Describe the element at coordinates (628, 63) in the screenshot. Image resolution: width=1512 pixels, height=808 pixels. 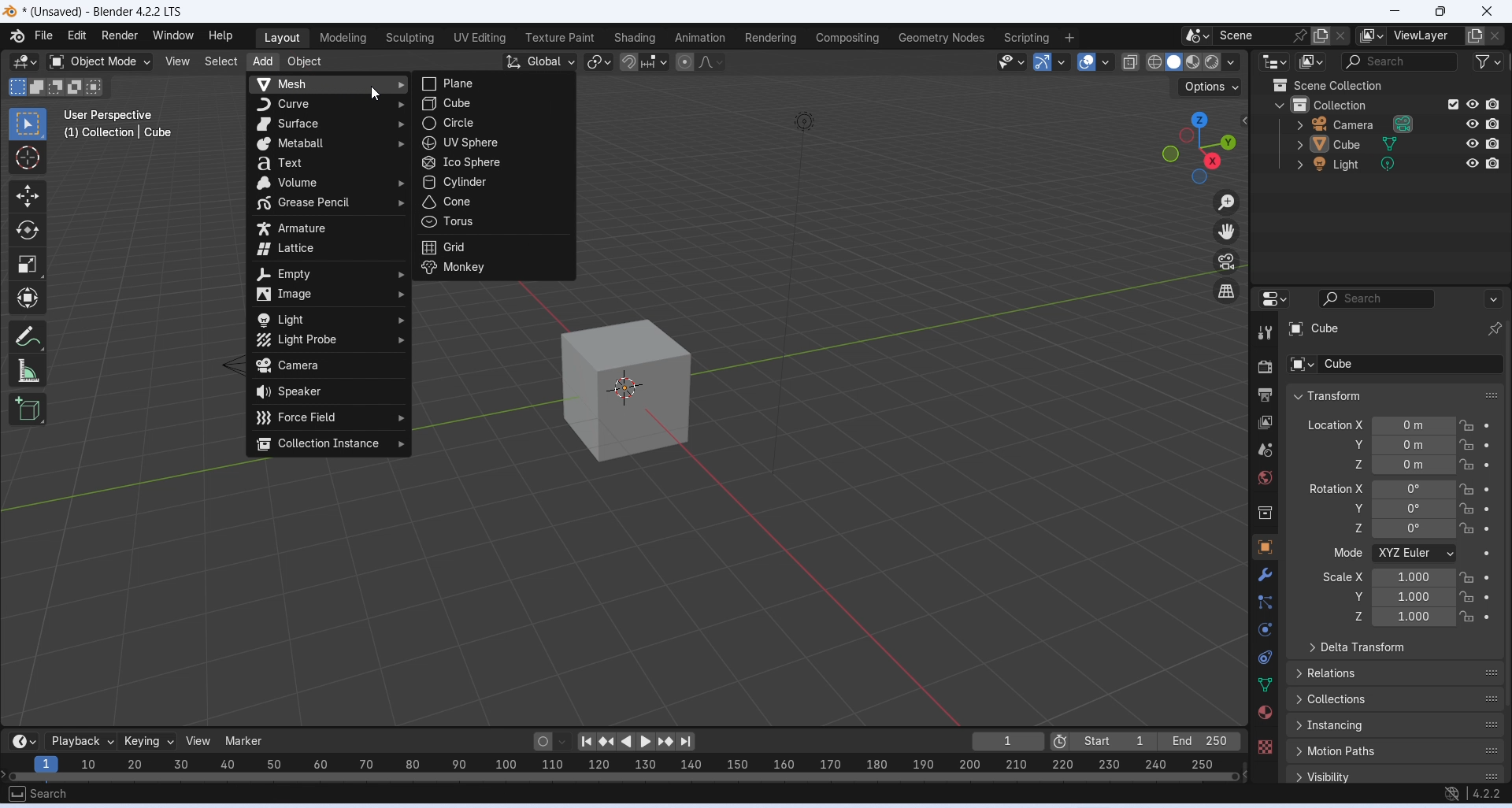
I see `snap` at that location.